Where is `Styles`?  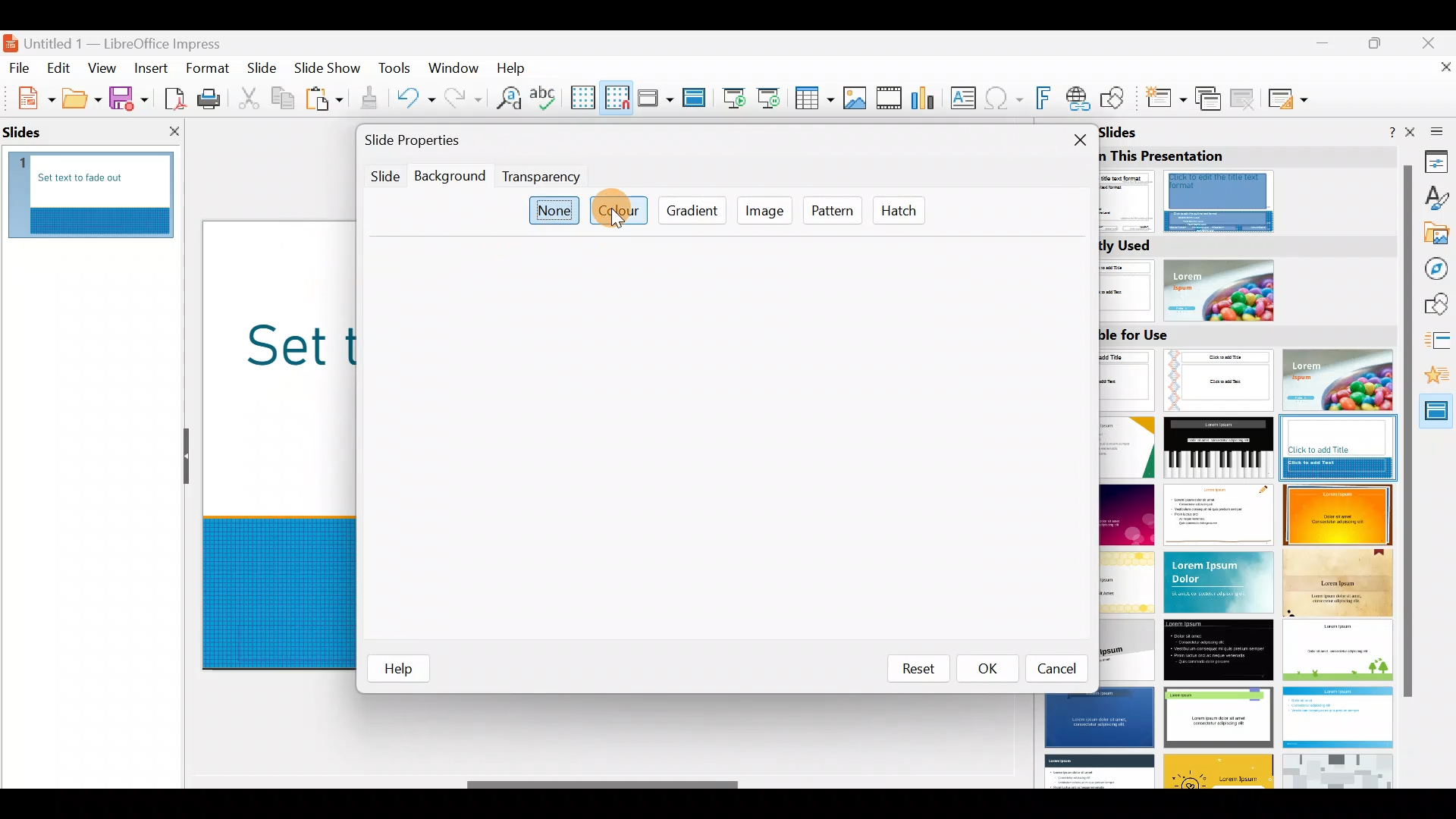
Styles is located at coordinates (1437, 200).